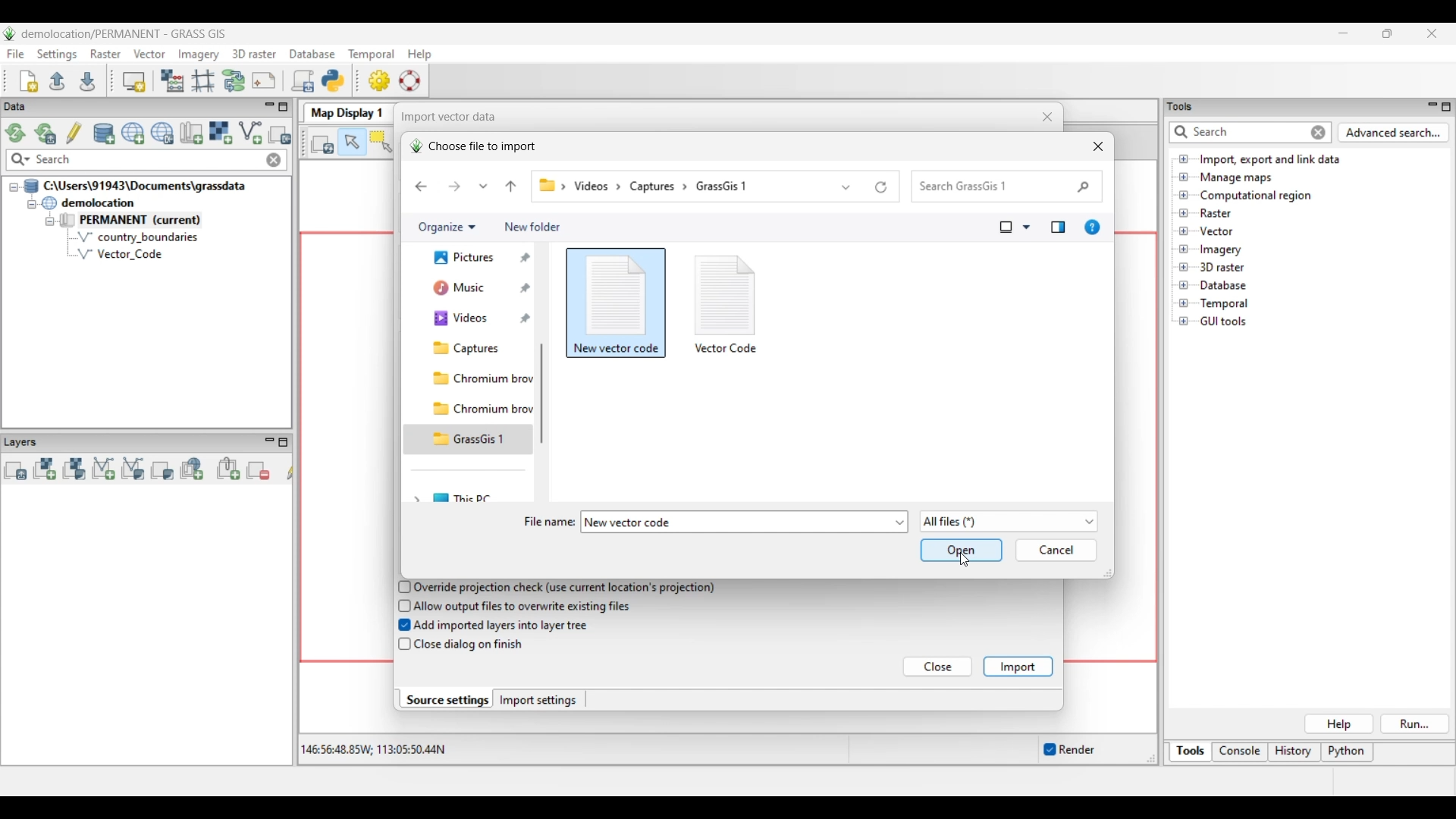 The height and width of the screenshot is (819, 1456). Describe the element at coordinates (502, 625) in the screenshot. I see `Add imported layers into layer tree` at that location.